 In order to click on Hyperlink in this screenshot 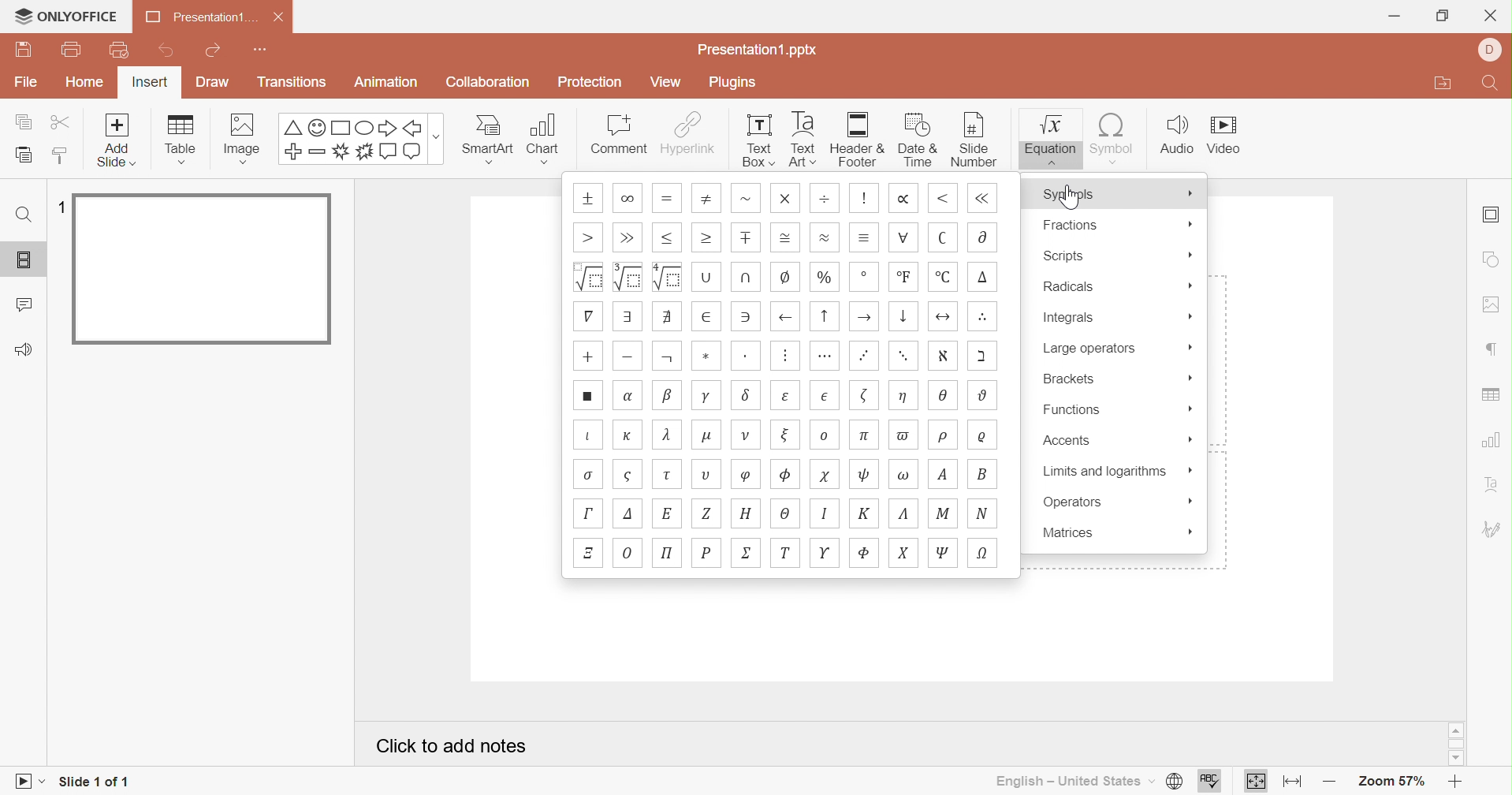, I will do `click(691, 136)`.